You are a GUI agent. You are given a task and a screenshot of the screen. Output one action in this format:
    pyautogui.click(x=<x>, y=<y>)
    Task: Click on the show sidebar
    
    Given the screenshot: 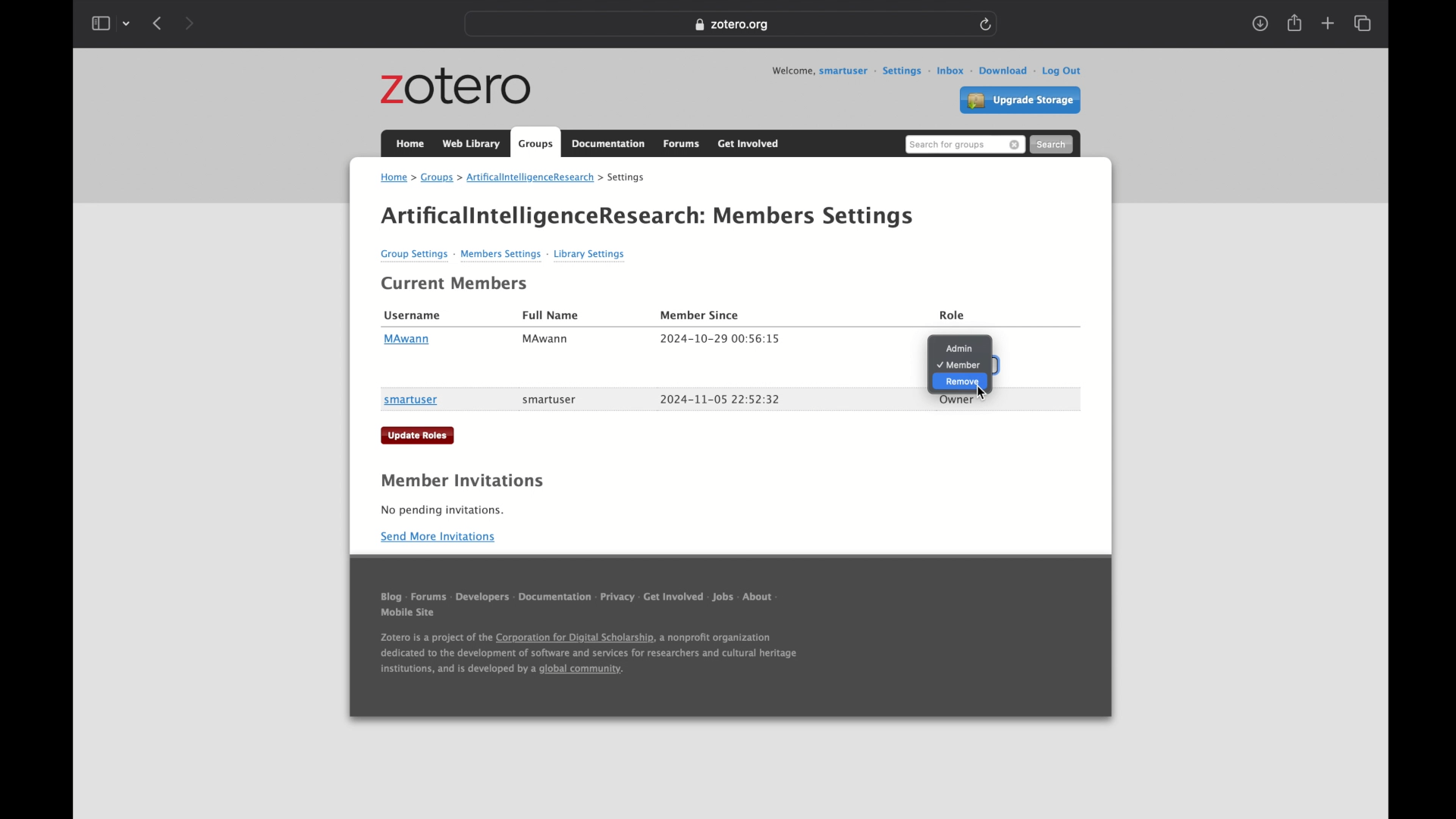 What is the action you would take?
    pyautogui.click(x=100, y=24)
    